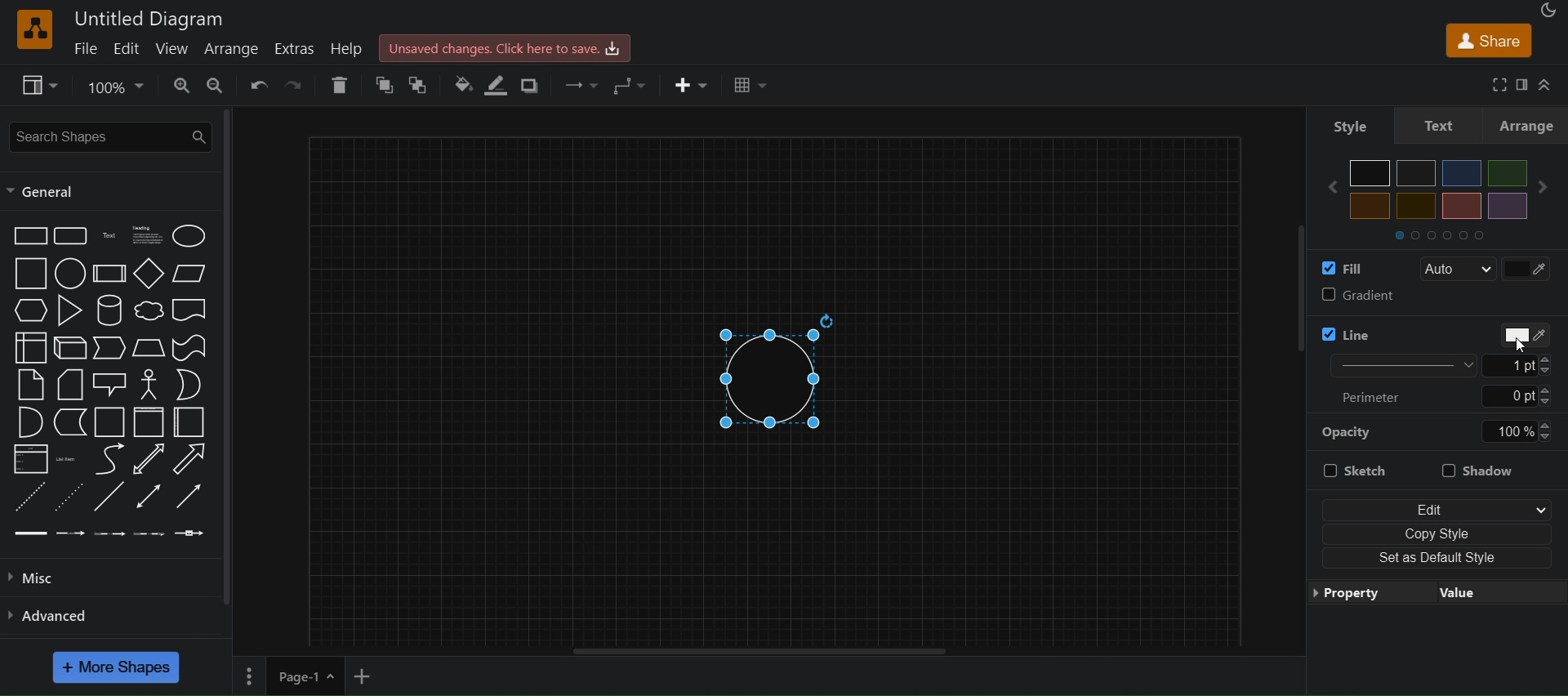  I want to click on vertical container, so click(148, 424).